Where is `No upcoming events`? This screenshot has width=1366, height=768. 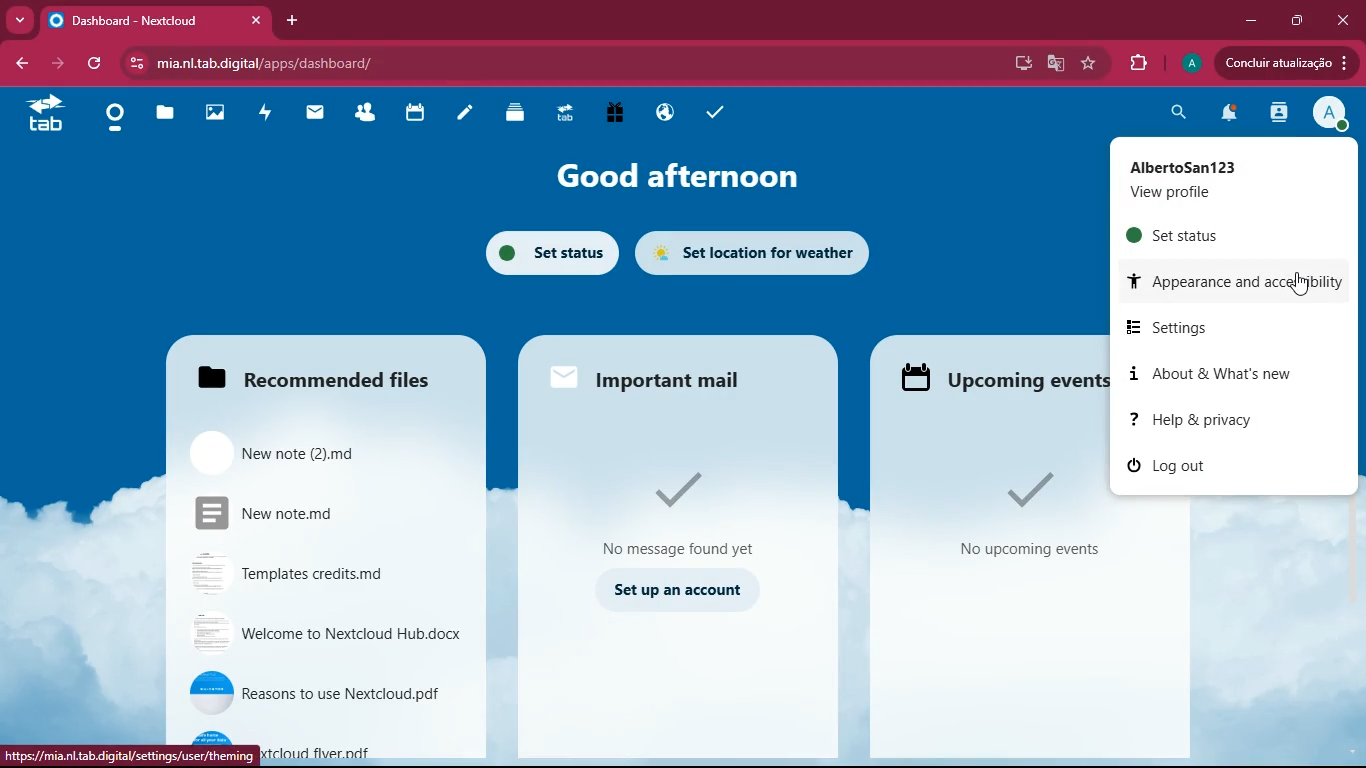 No upcoming events is located at coordinates (1022, 515).